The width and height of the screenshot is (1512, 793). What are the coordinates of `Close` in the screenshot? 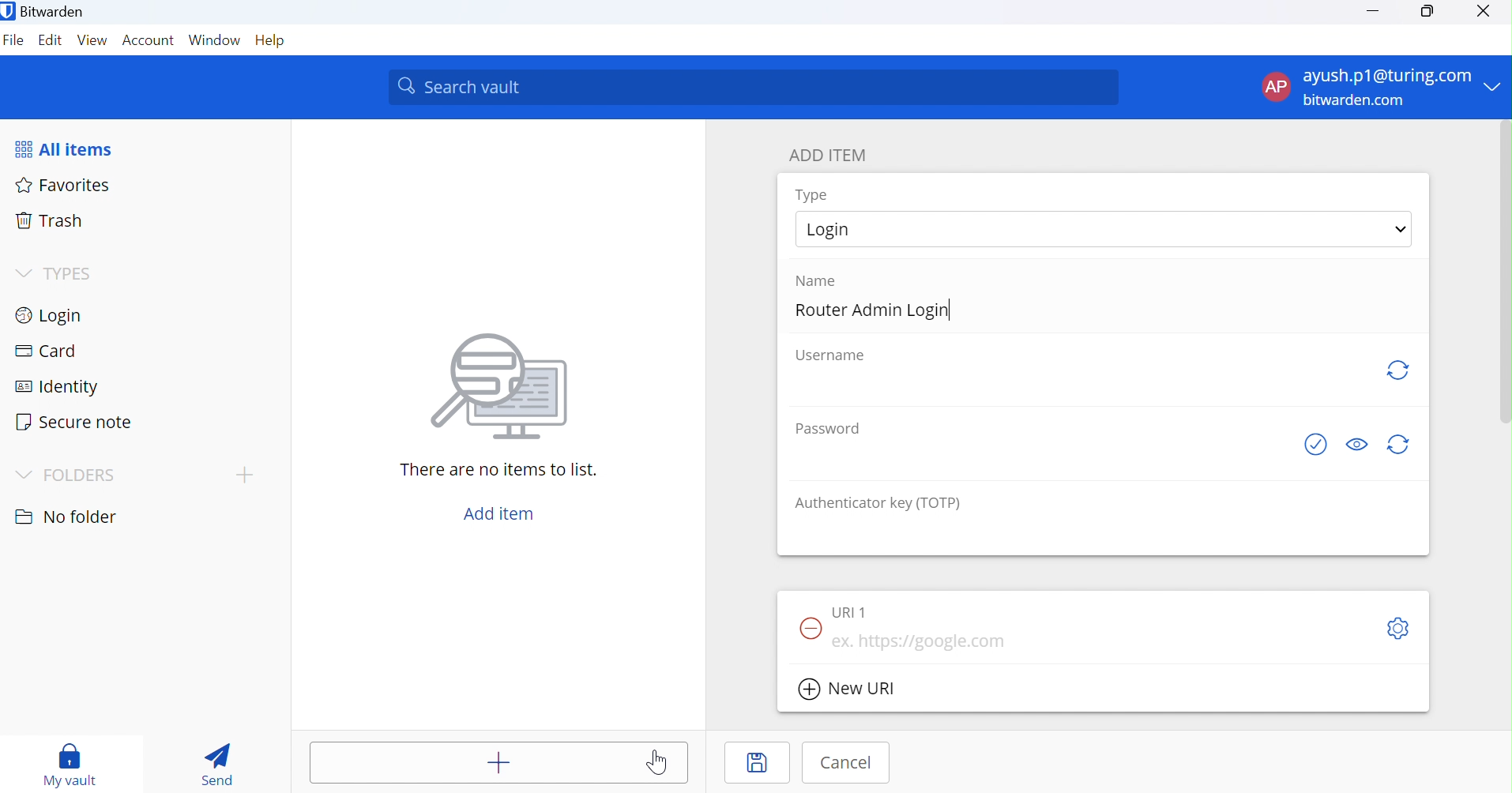 It's located at (1485, 12).